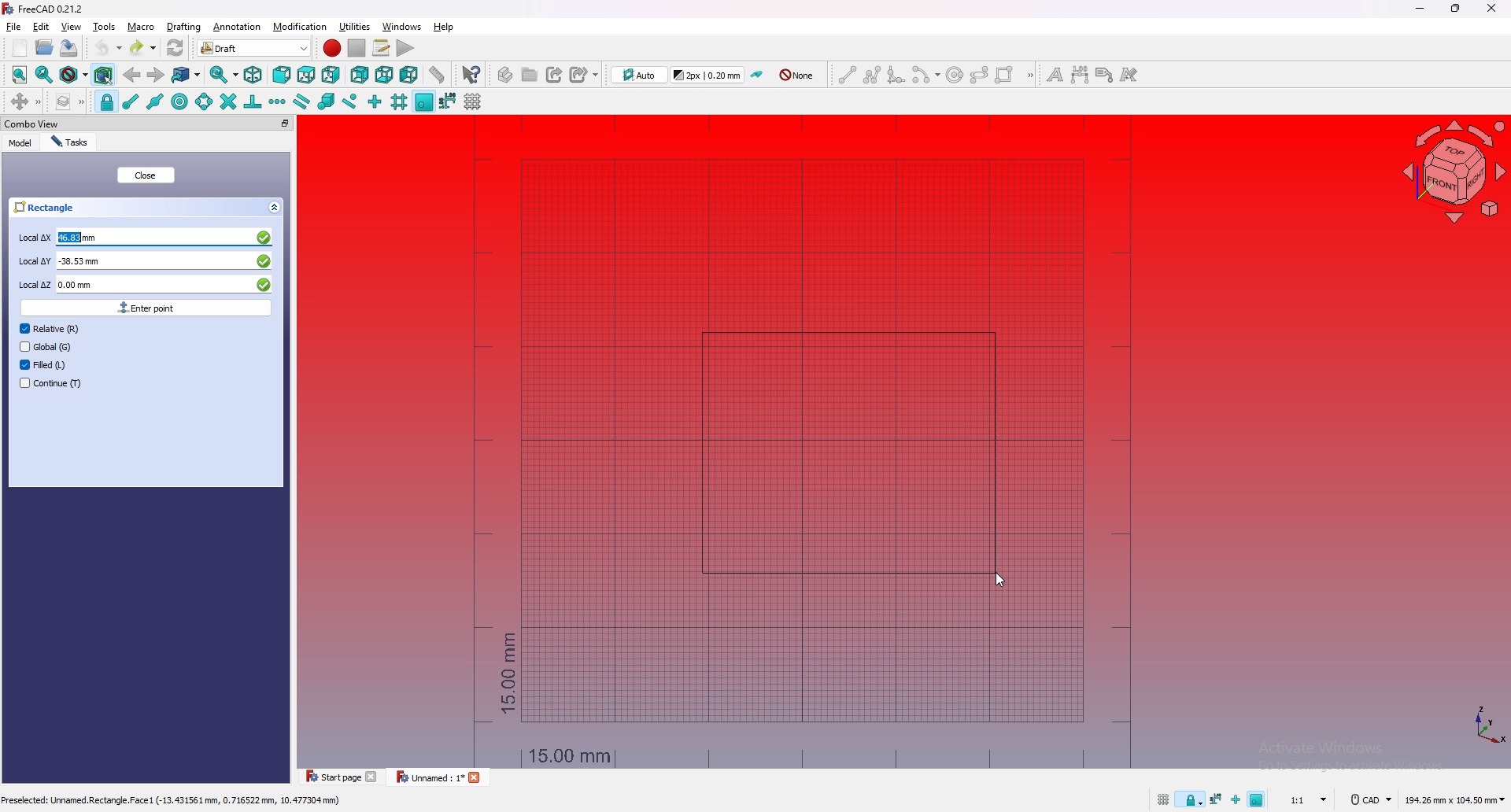 Image resolution: width=1511 pixels, height=812 pixels. Describe the element at coordinates (583, 74) in the screenshot. I see `create sub link` at that location.